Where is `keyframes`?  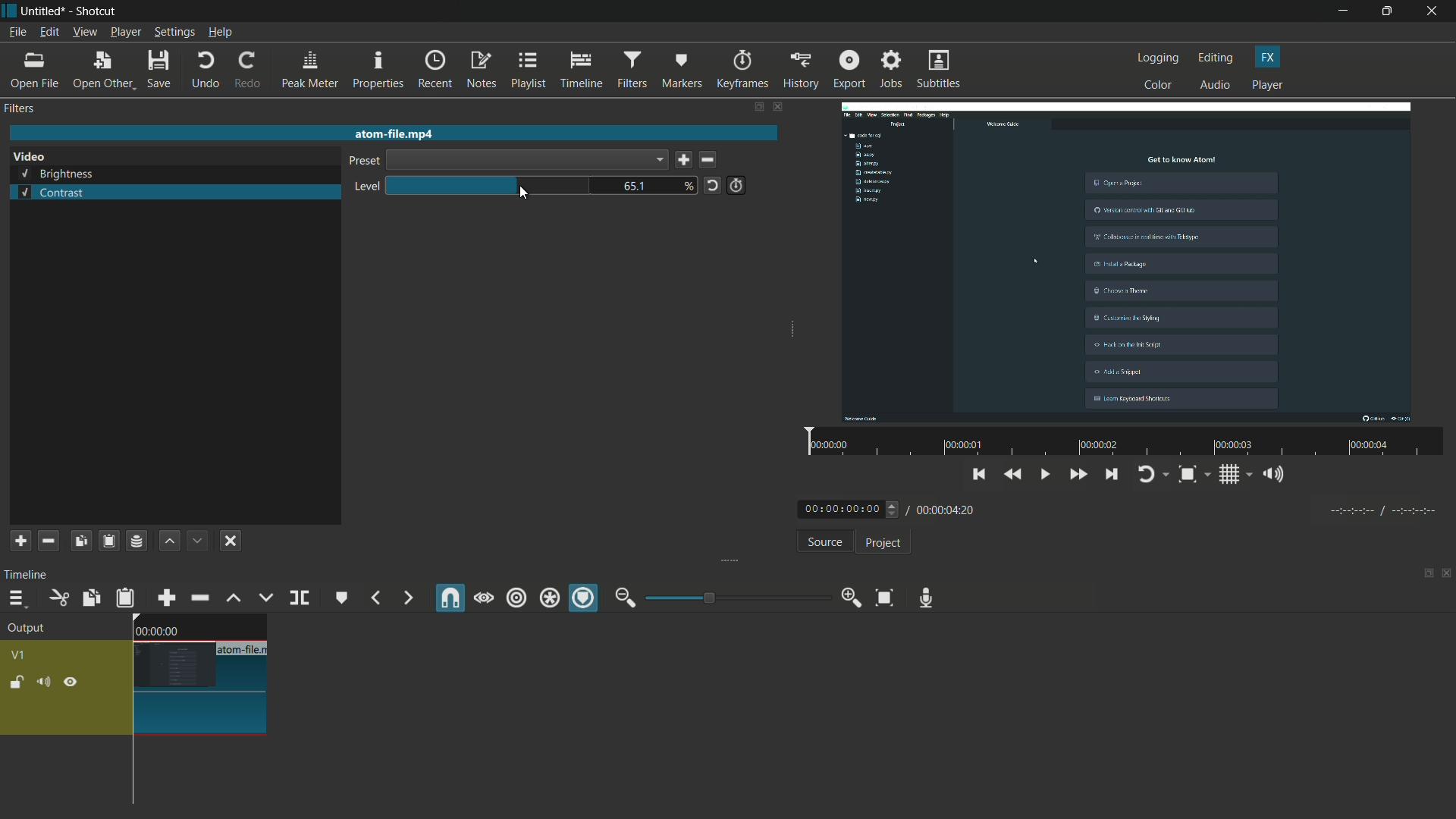
keyframes is located at coordinates (742, 70).